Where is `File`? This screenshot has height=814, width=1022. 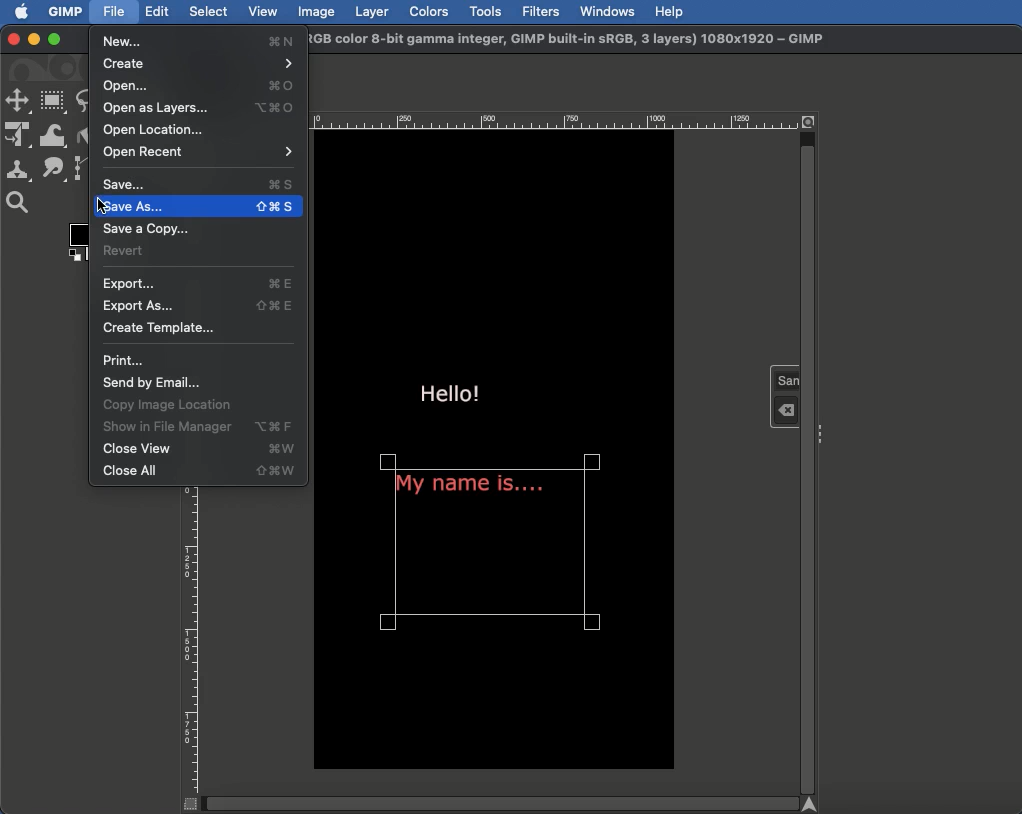 File is located at coordinates (113, 13).